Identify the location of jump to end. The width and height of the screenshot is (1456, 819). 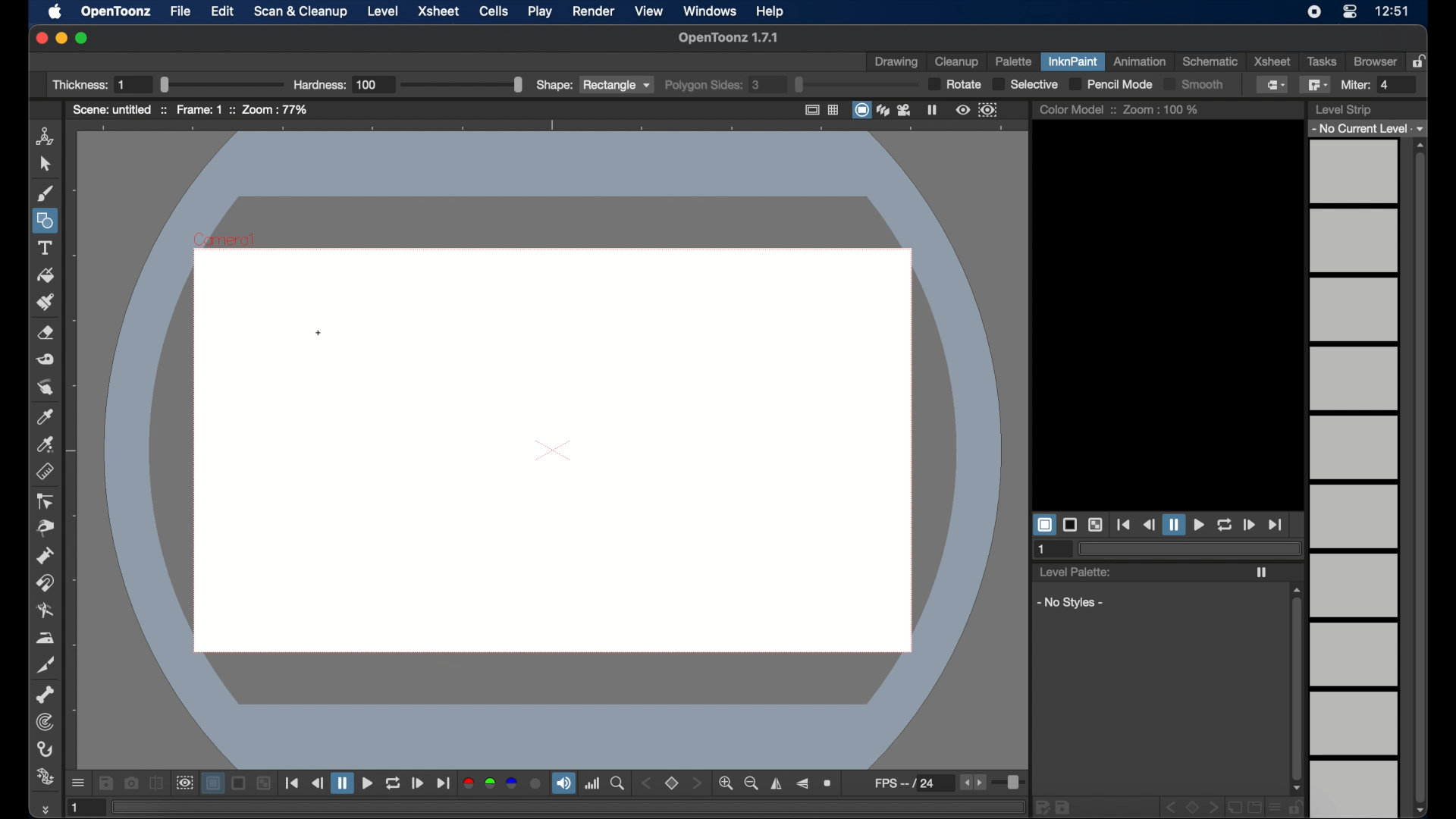
(443, 783).